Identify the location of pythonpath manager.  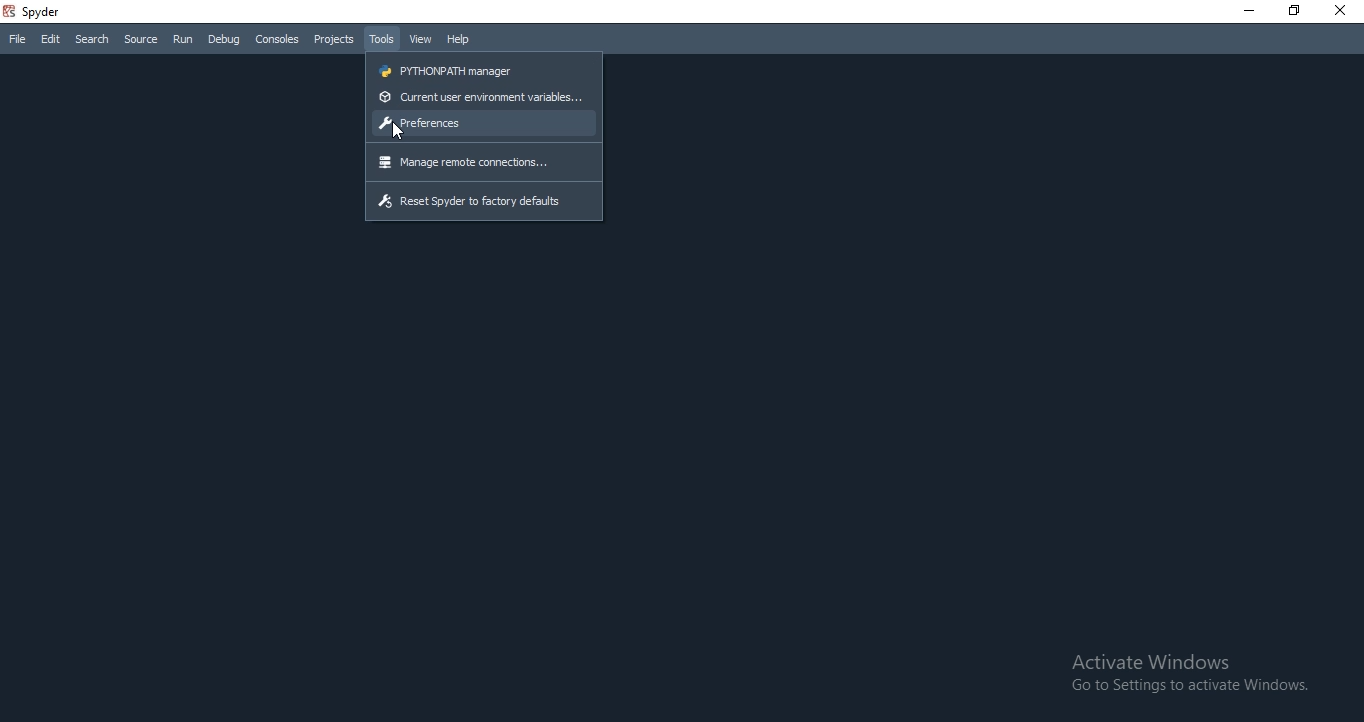
(484, 69).